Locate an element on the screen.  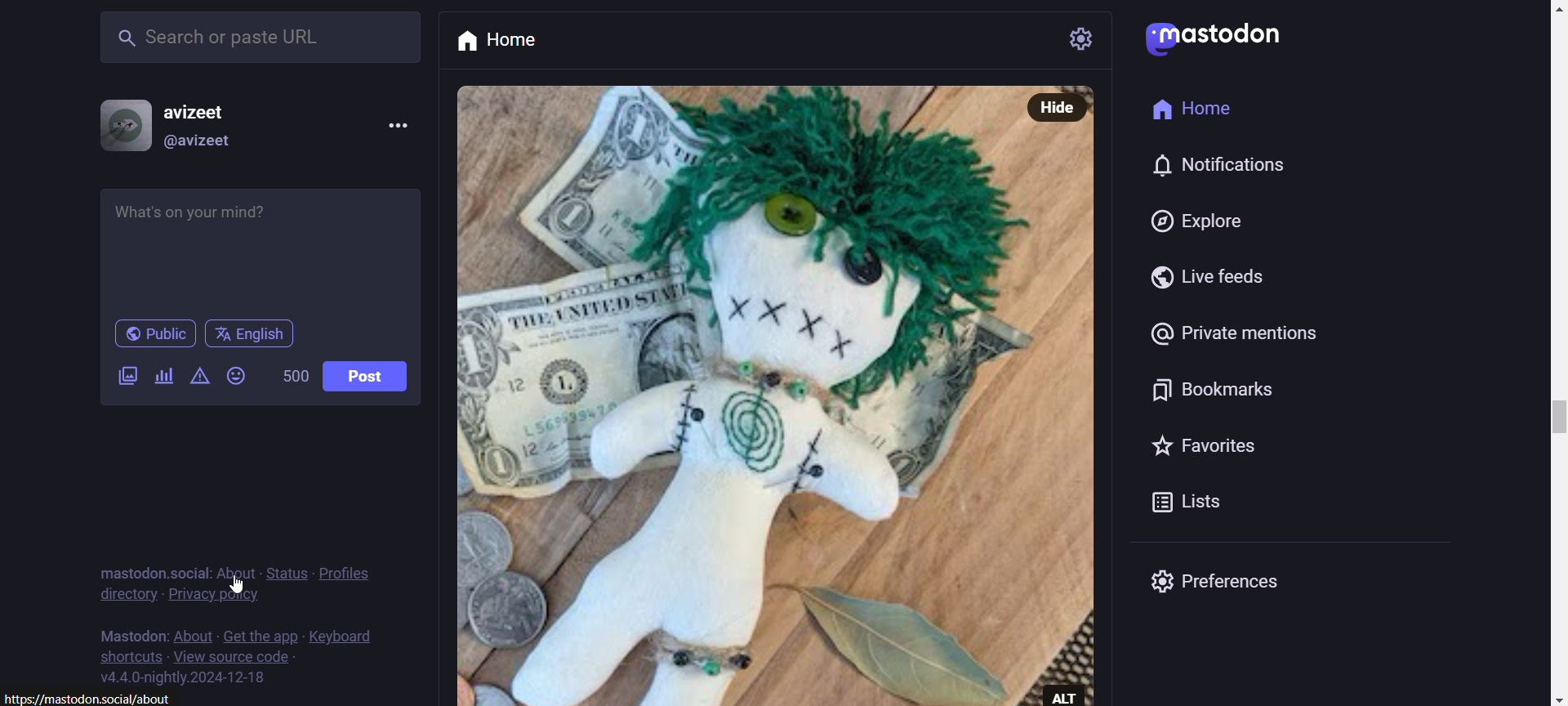
hide is located at coordinates (1061, 106).